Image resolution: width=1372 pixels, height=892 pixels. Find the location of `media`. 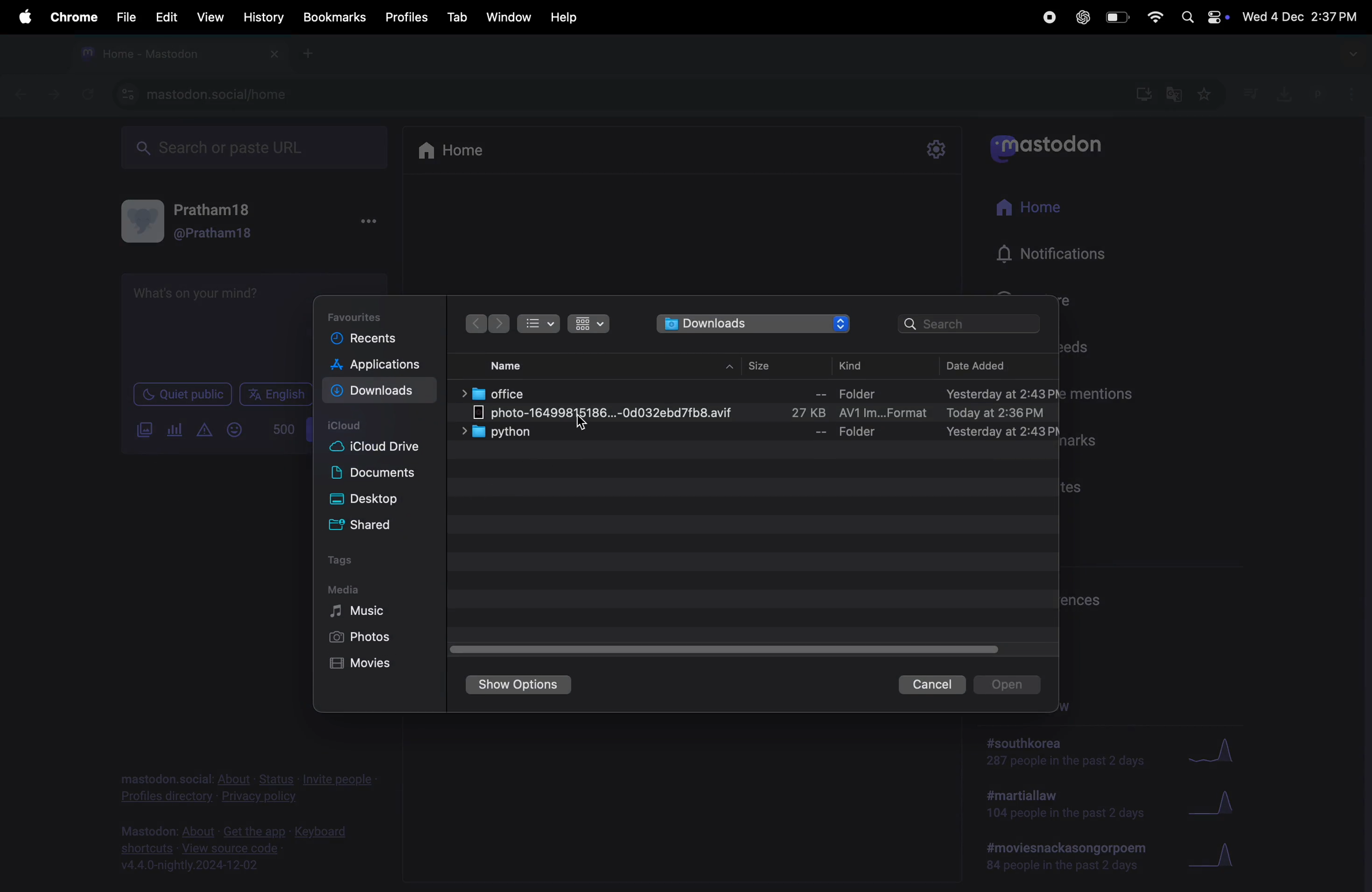

media is located at coordinates (344, 589).